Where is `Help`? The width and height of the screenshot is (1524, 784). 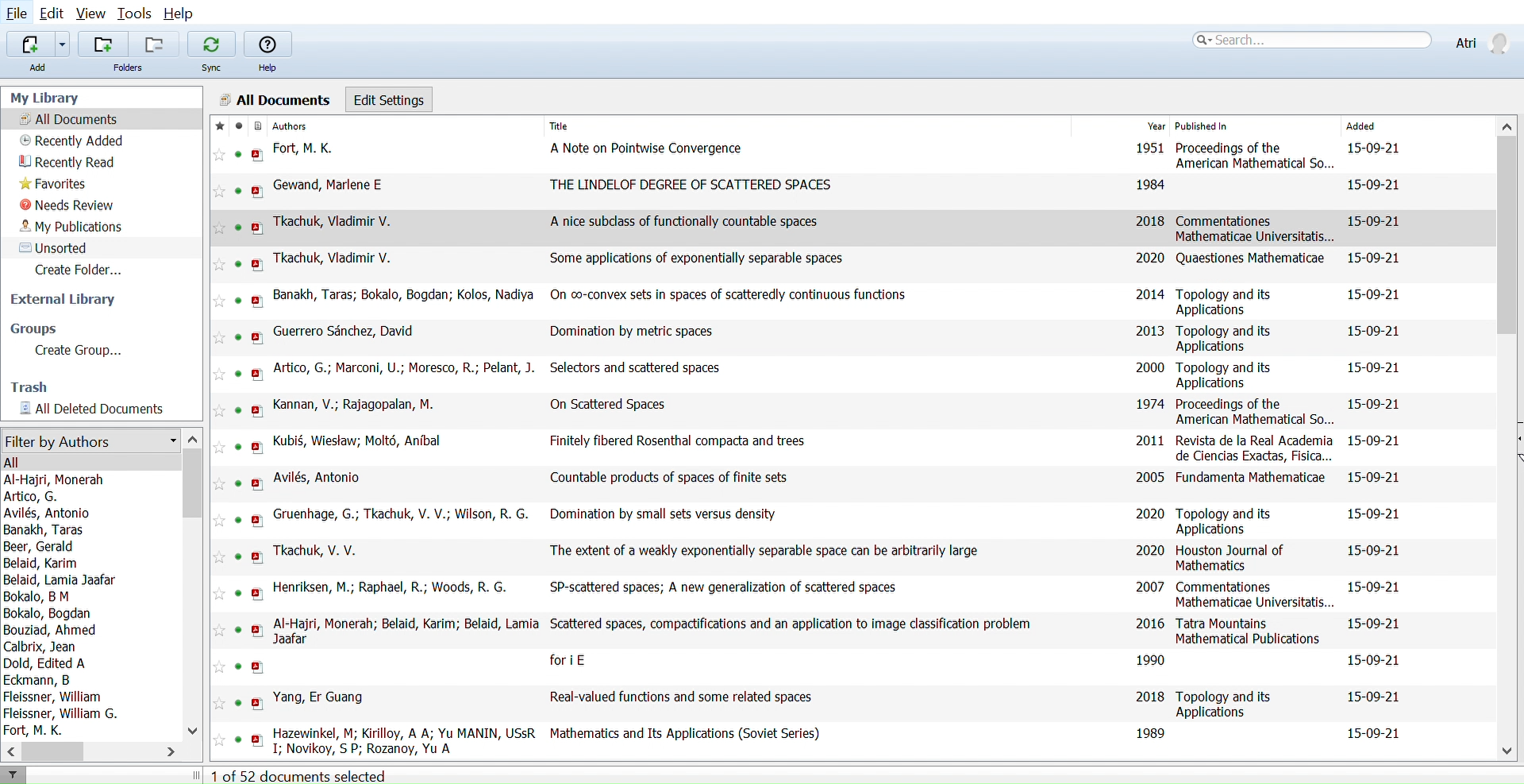 Help is located at coordinates (269, 68).